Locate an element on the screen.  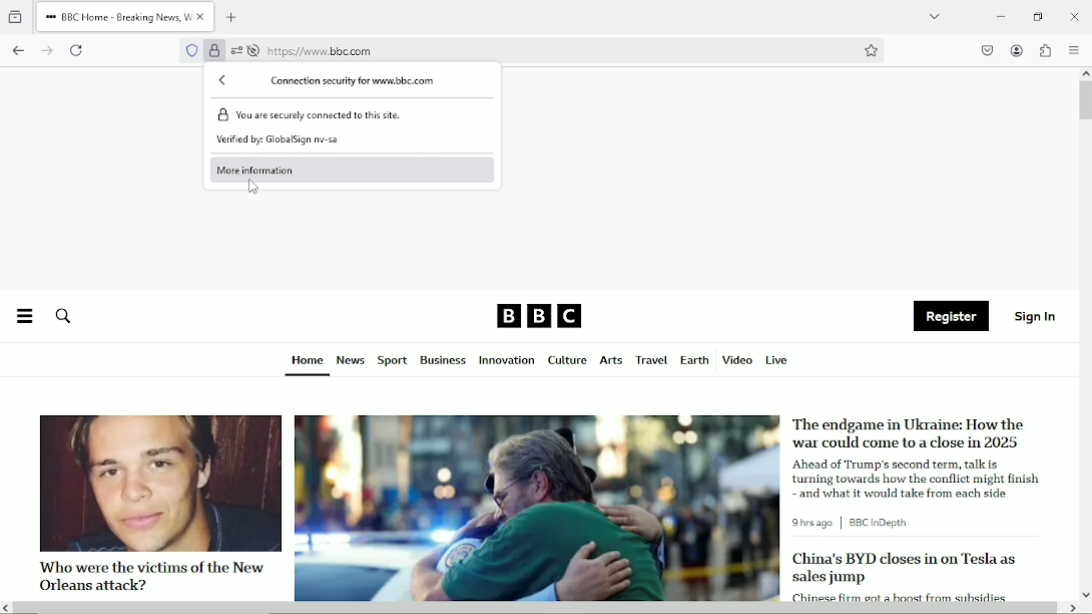
Culture is located at coordinates (567, 361).